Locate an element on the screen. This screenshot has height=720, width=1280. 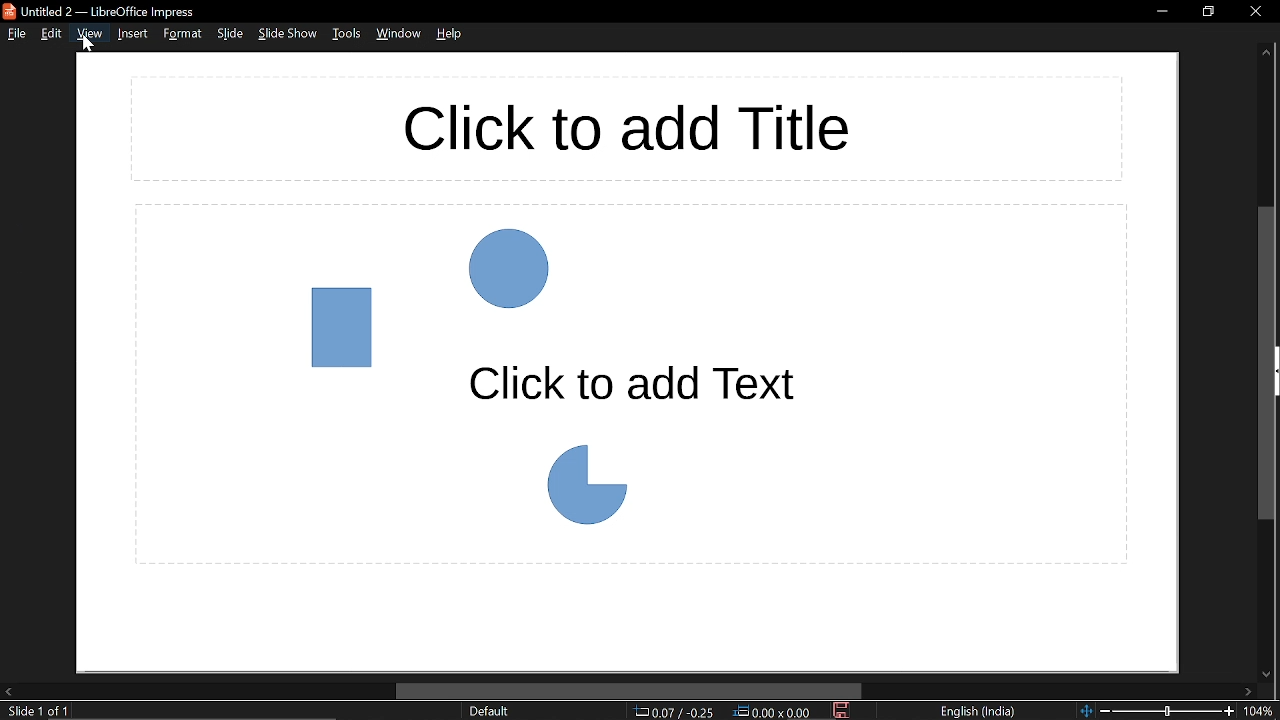
SPace for adding title is located at coordinates (627, 128).